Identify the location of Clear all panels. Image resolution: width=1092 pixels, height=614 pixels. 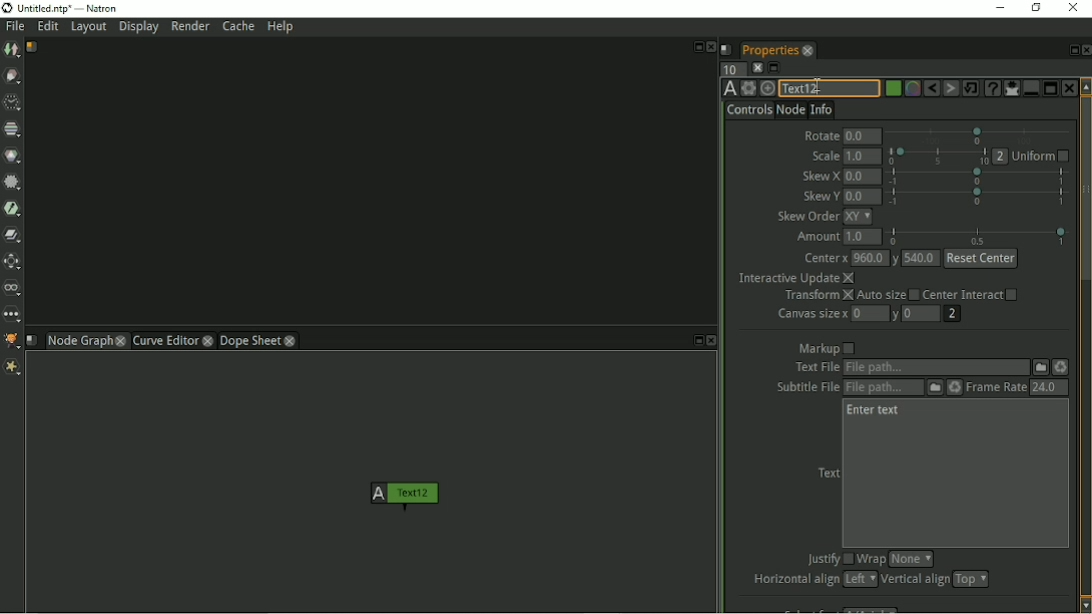
(757, 67).